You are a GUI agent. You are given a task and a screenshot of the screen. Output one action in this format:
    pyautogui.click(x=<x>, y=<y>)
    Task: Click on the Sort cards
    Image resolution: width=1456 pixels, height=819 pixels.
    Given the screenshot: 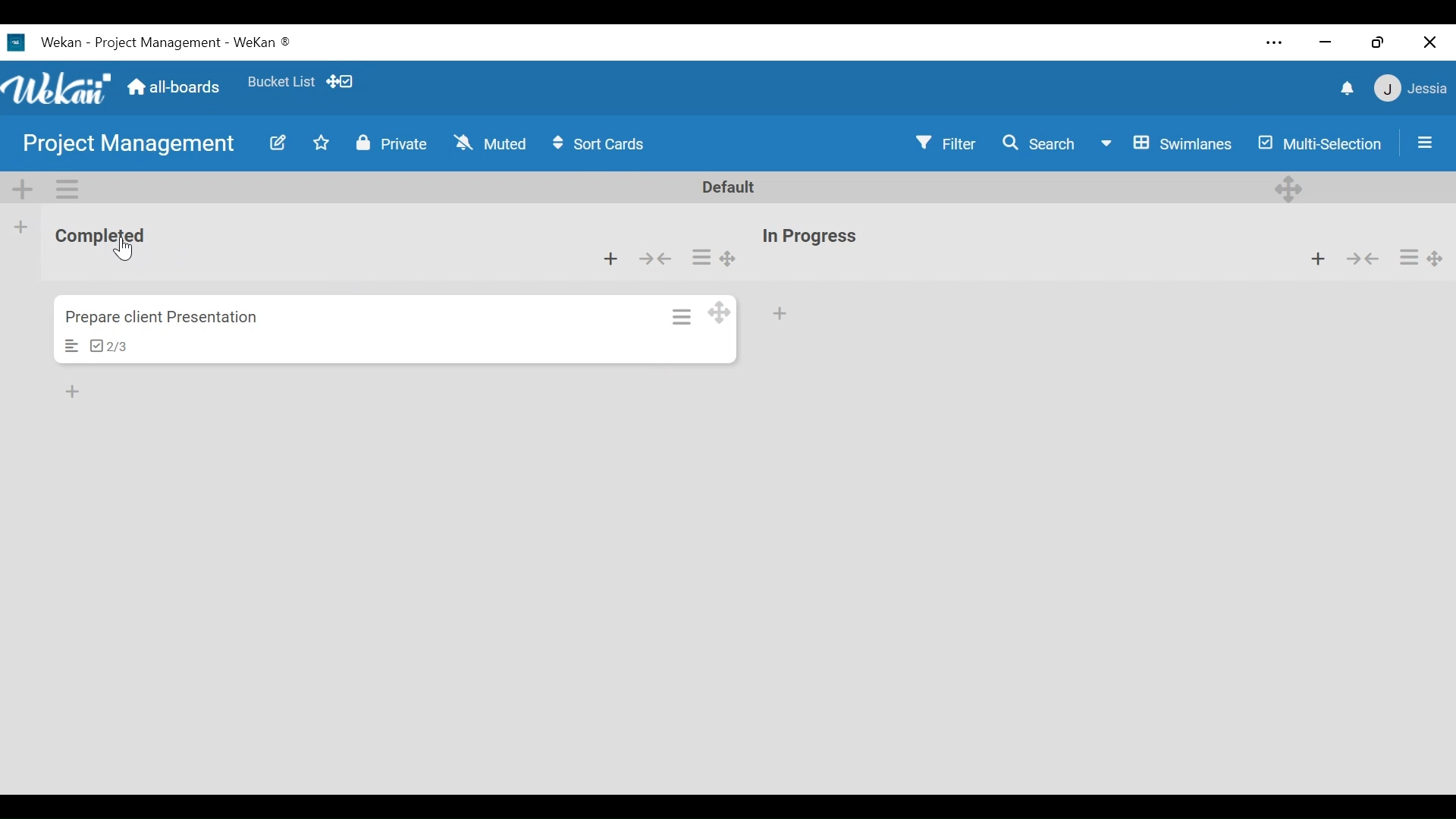 What is the action you would take?
    pyautogui.click(x=603, y=145)
    